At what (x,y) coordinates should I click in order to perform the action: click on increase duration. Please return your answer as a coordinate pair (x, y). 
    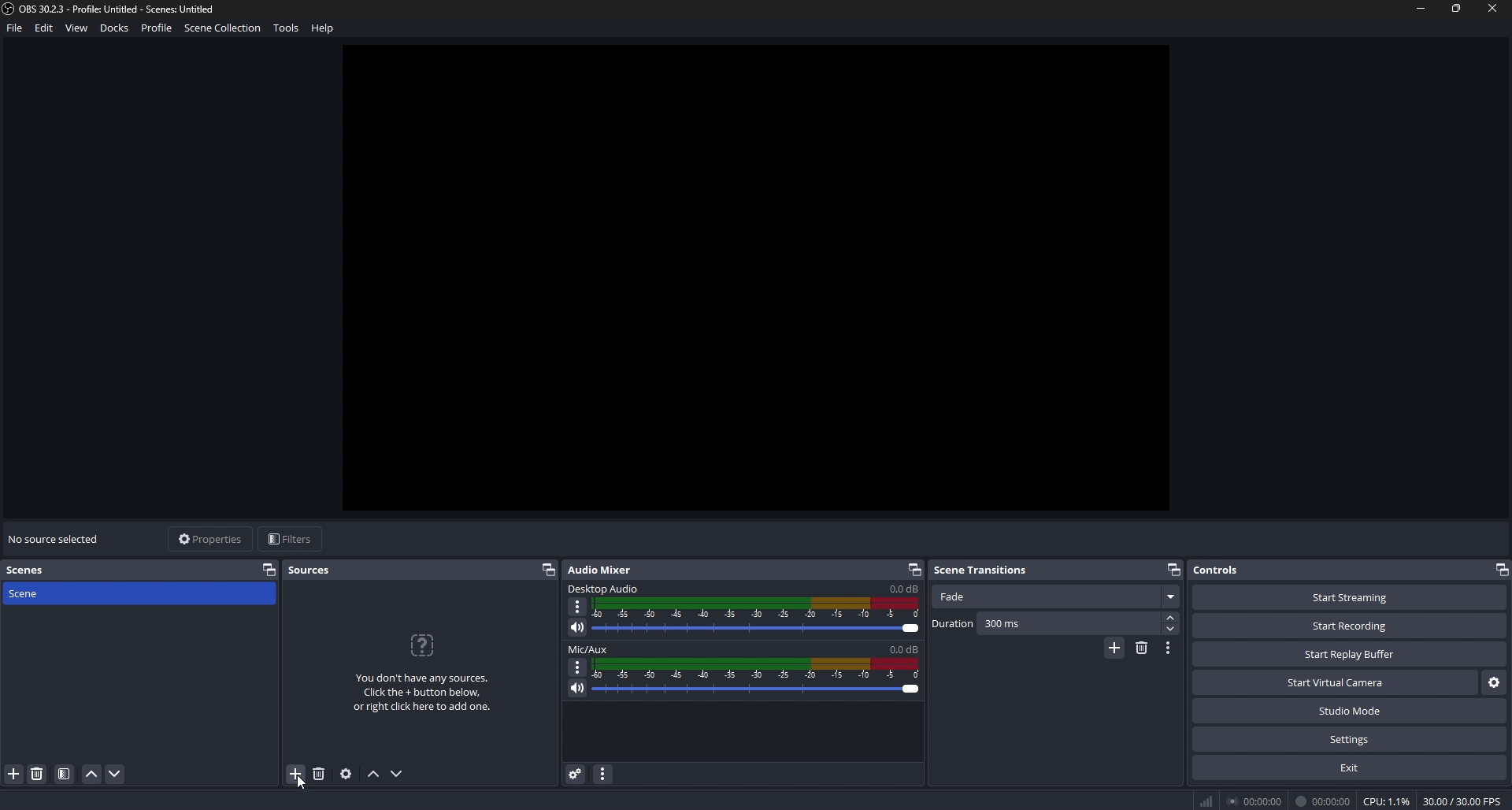
    Looking at the image, I should click on (1173, 616).